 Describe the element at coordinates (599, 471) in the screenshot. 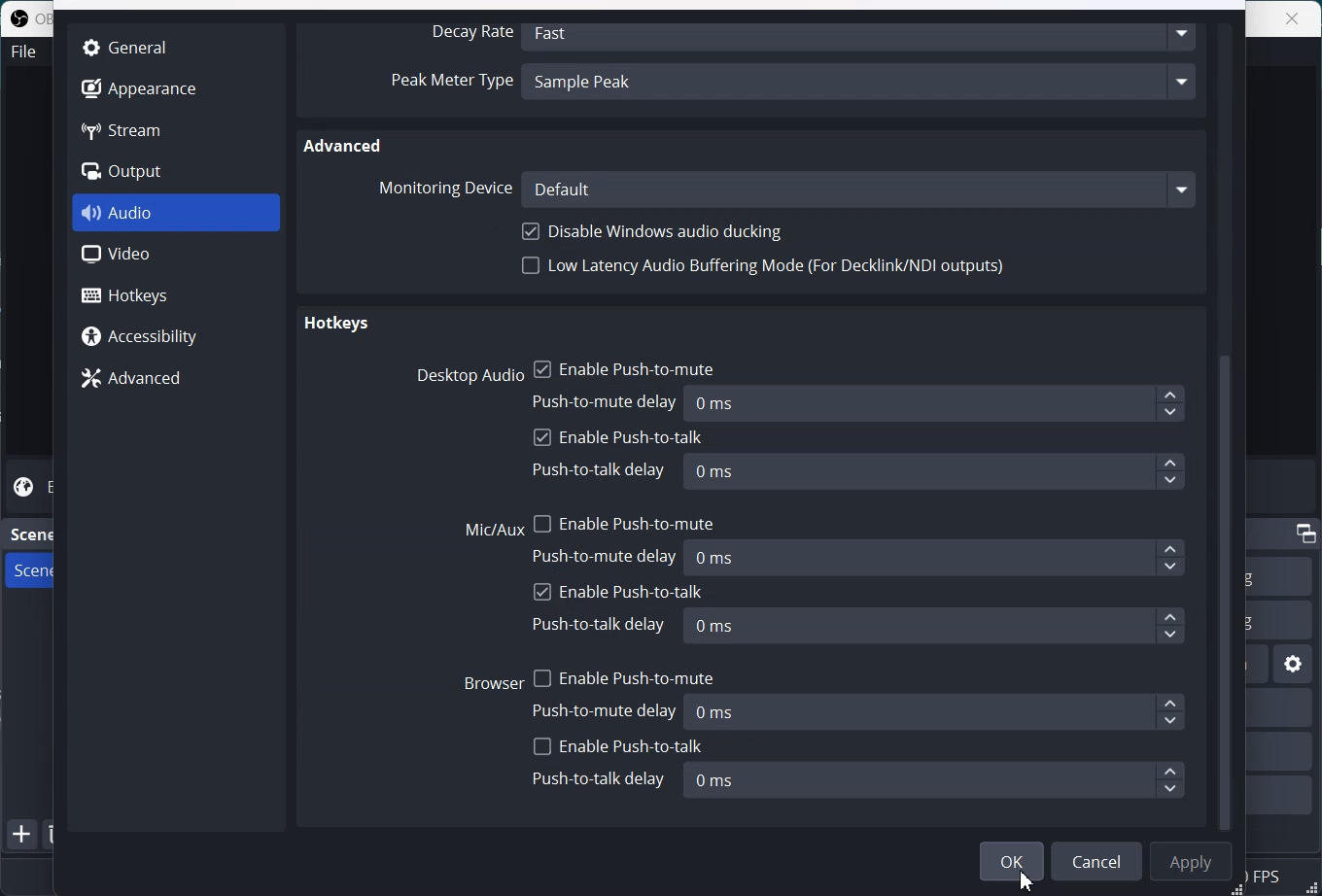

I see `Push-to-talk delay` at that location.